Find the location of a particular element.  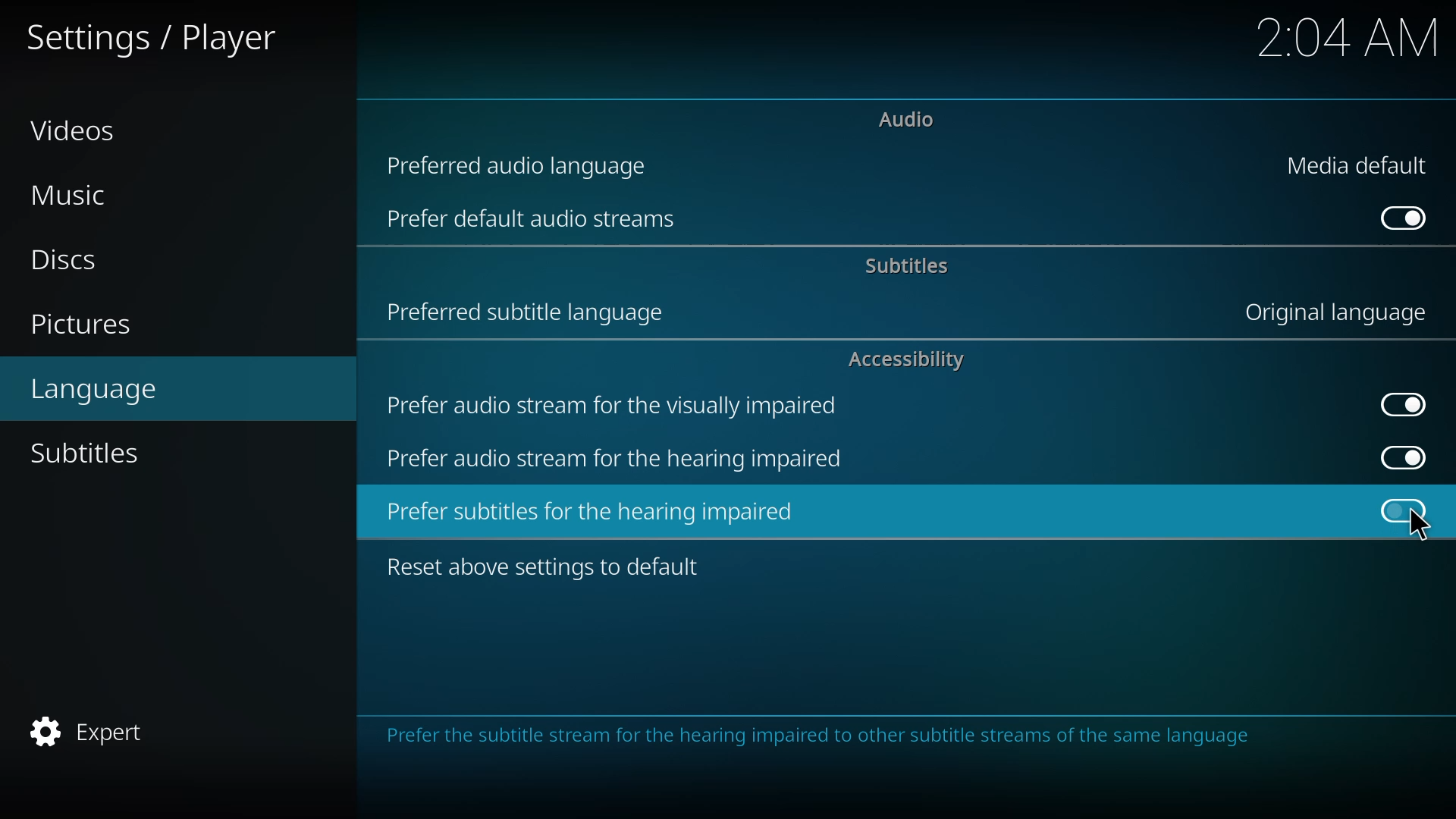

settings player is located at coordinates (148, 36).